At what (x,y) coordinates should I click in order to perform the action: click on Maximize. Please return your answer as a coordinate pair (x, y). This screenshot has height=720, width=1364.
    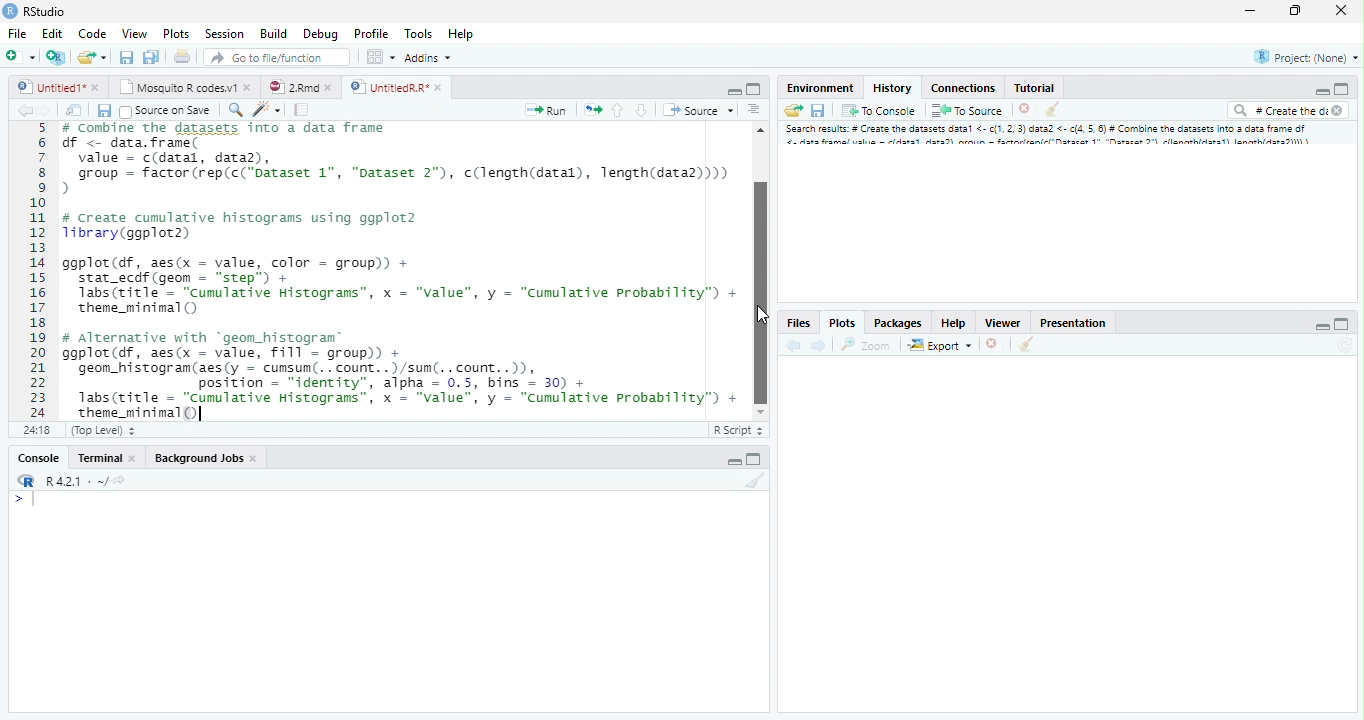
    Looking at the image, I should click on (1294, 11).